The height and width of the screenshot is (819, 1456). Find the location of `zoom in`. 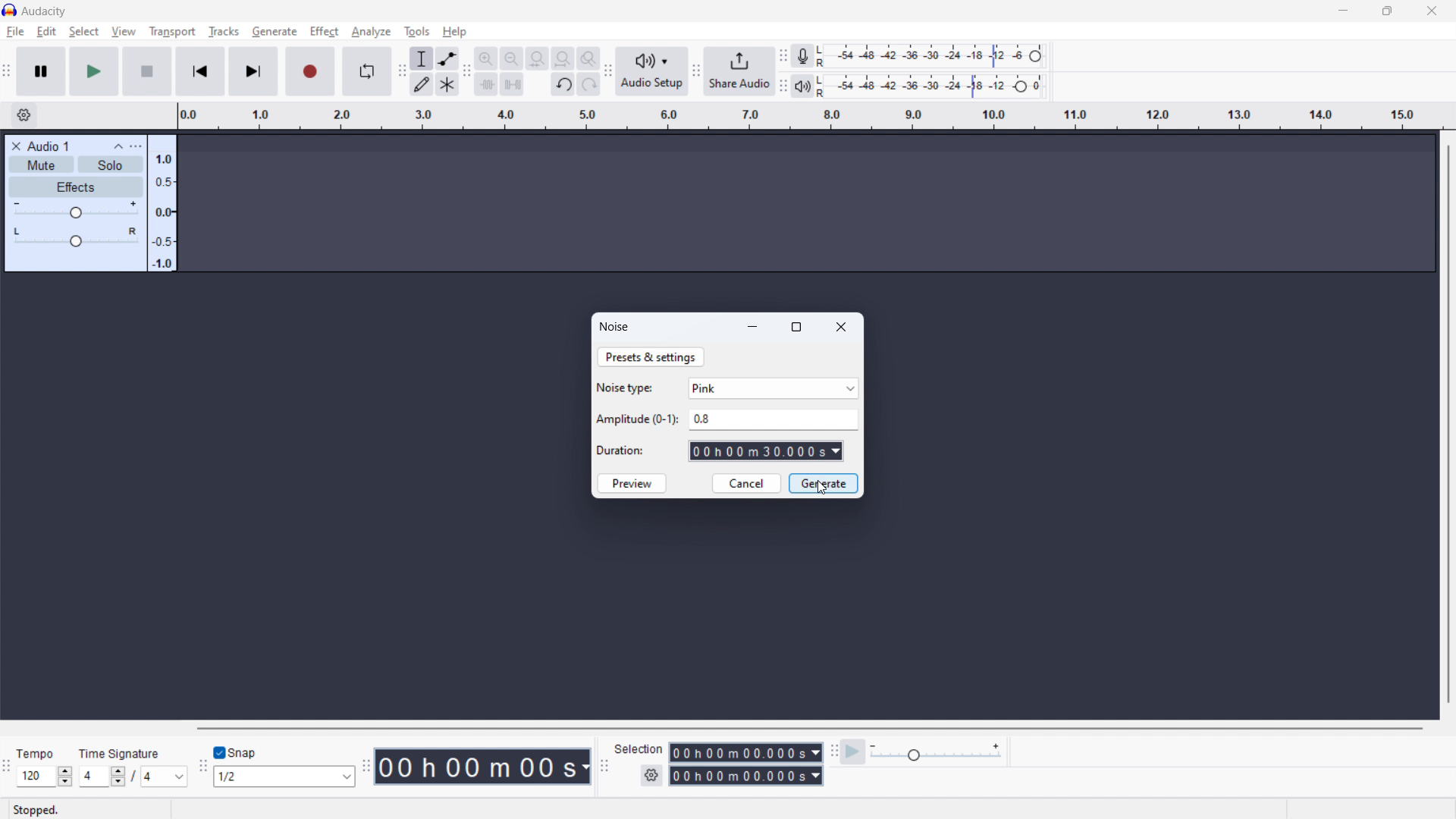

zoom in is located at coordinates (486, 58).